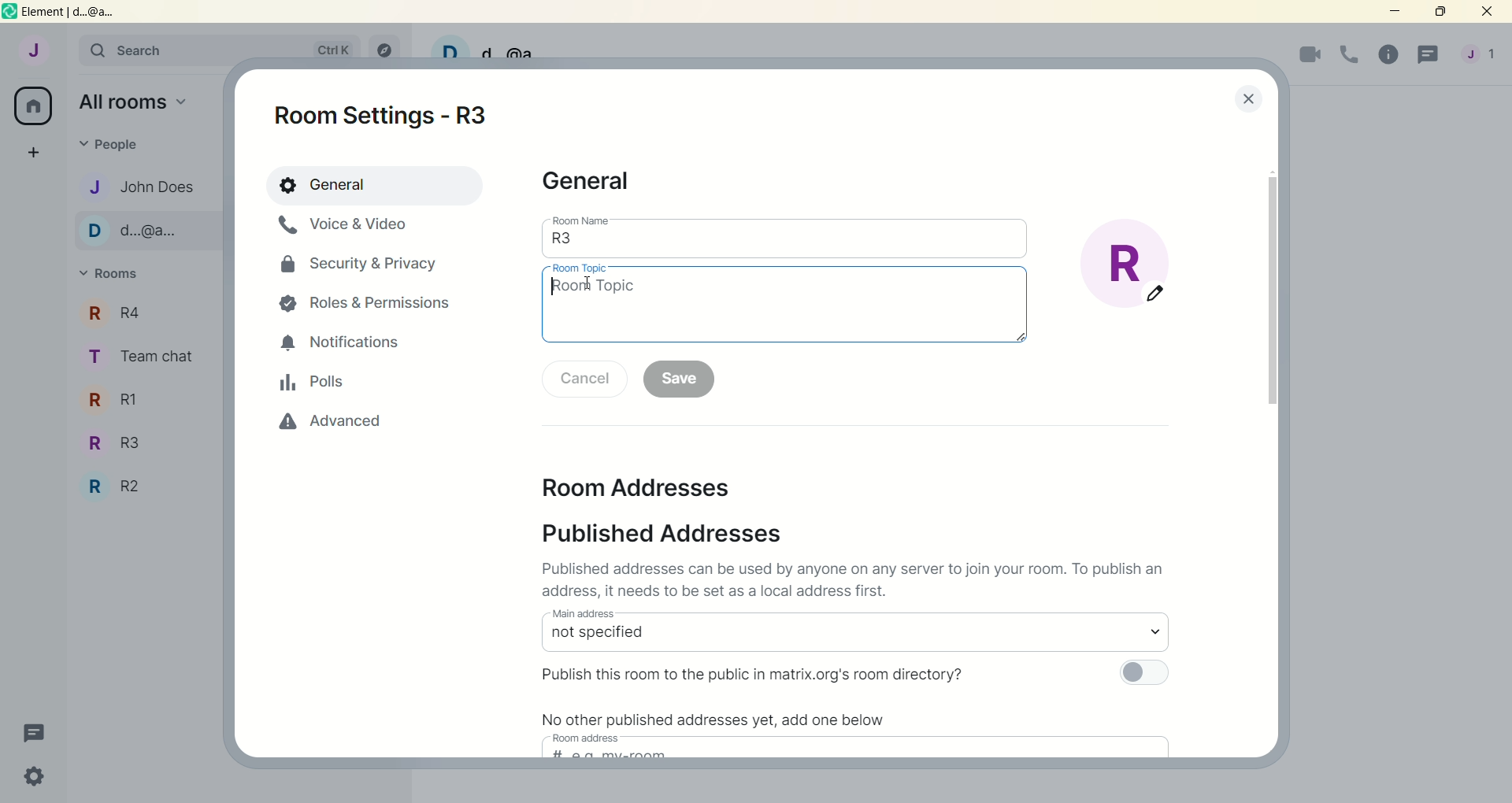 Image resolution: width=1512 pixels, height=803 pixels. Describe the element at coordinates (713, 720) in the screenshot. I see `No other published addresses yet, add one below` at that location.